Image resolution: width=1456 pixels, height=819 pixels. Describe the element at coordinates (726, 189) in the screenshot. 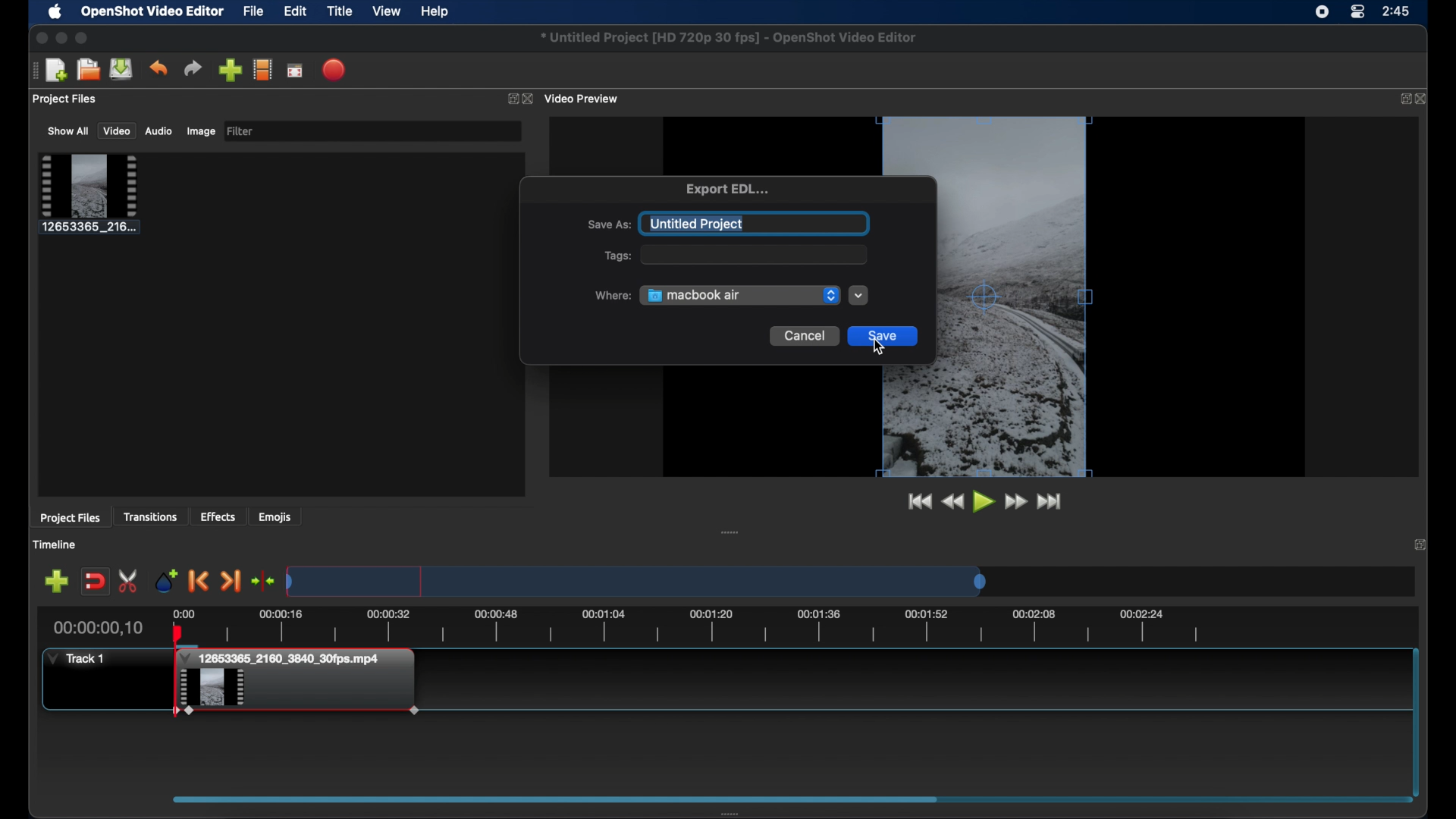

I see `export edl` at that location.